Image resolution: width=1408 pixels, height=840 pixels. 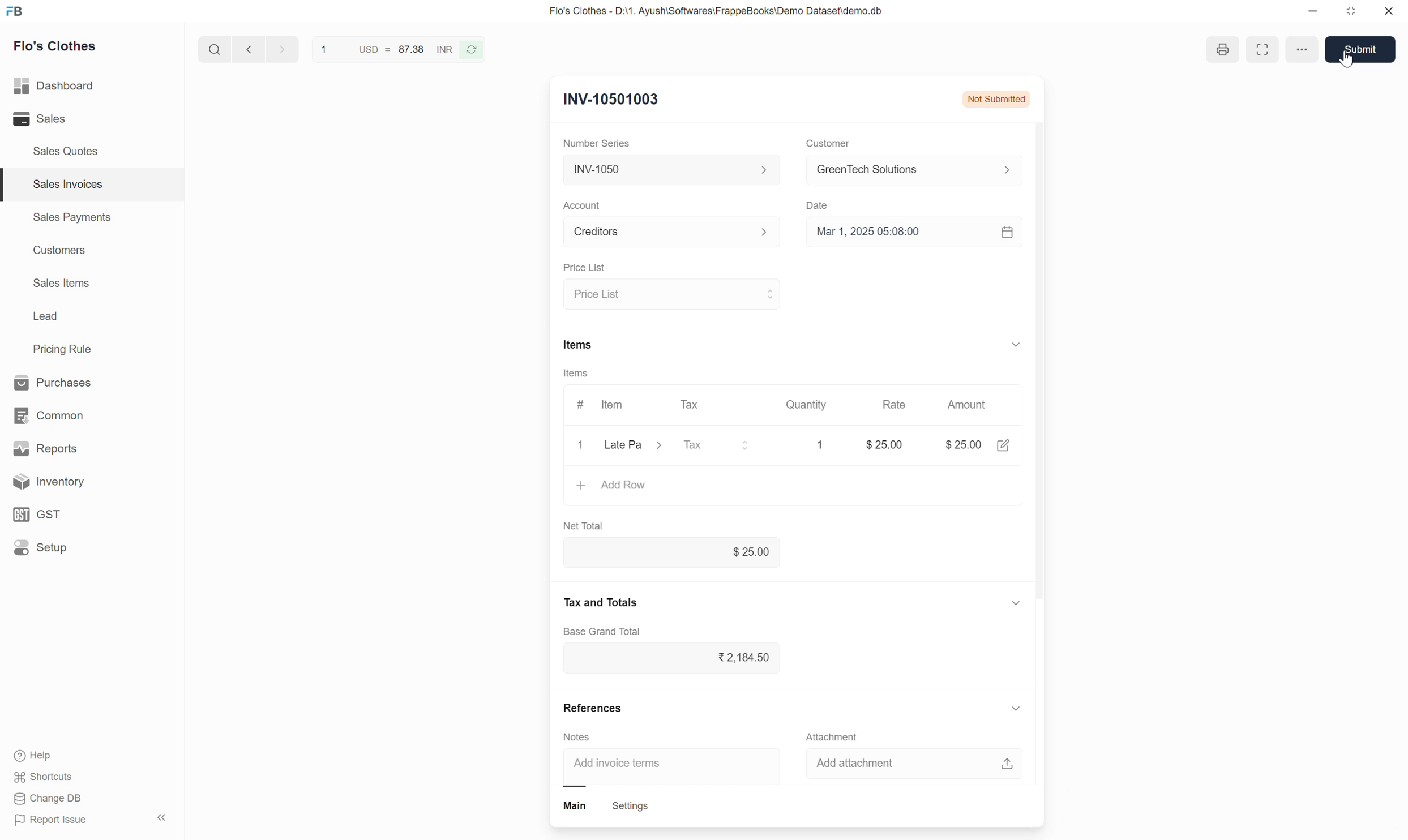 What do you see at coordinates (71, 219) in the screenshot?
I see `Sales Payments` at bounding box center [71, 219].